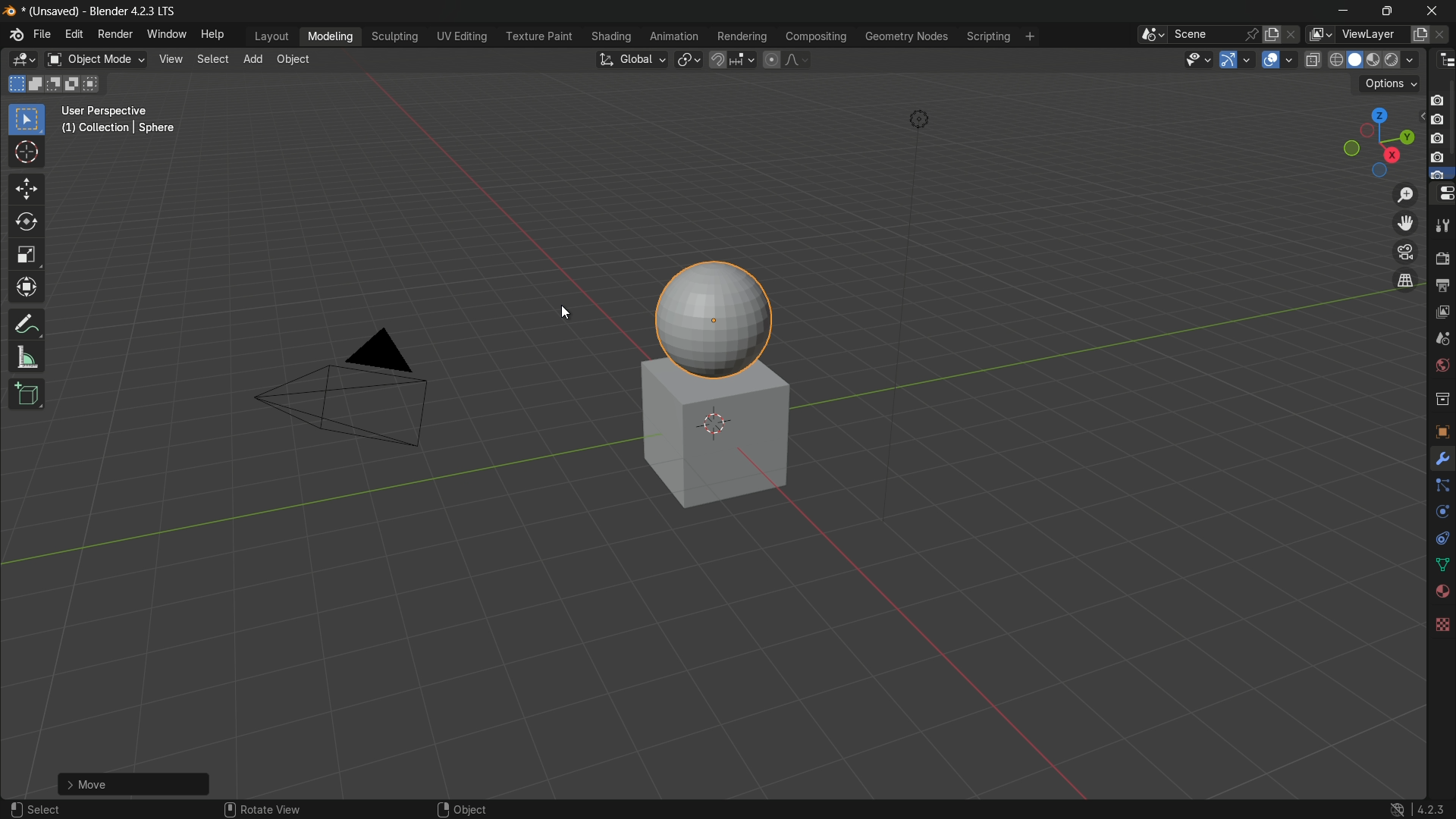 This screenshot has height=819, width=1456. What do you see at coordinates (27, 191) in the screenshot?
I see `move` at bounding box center [27, 191].